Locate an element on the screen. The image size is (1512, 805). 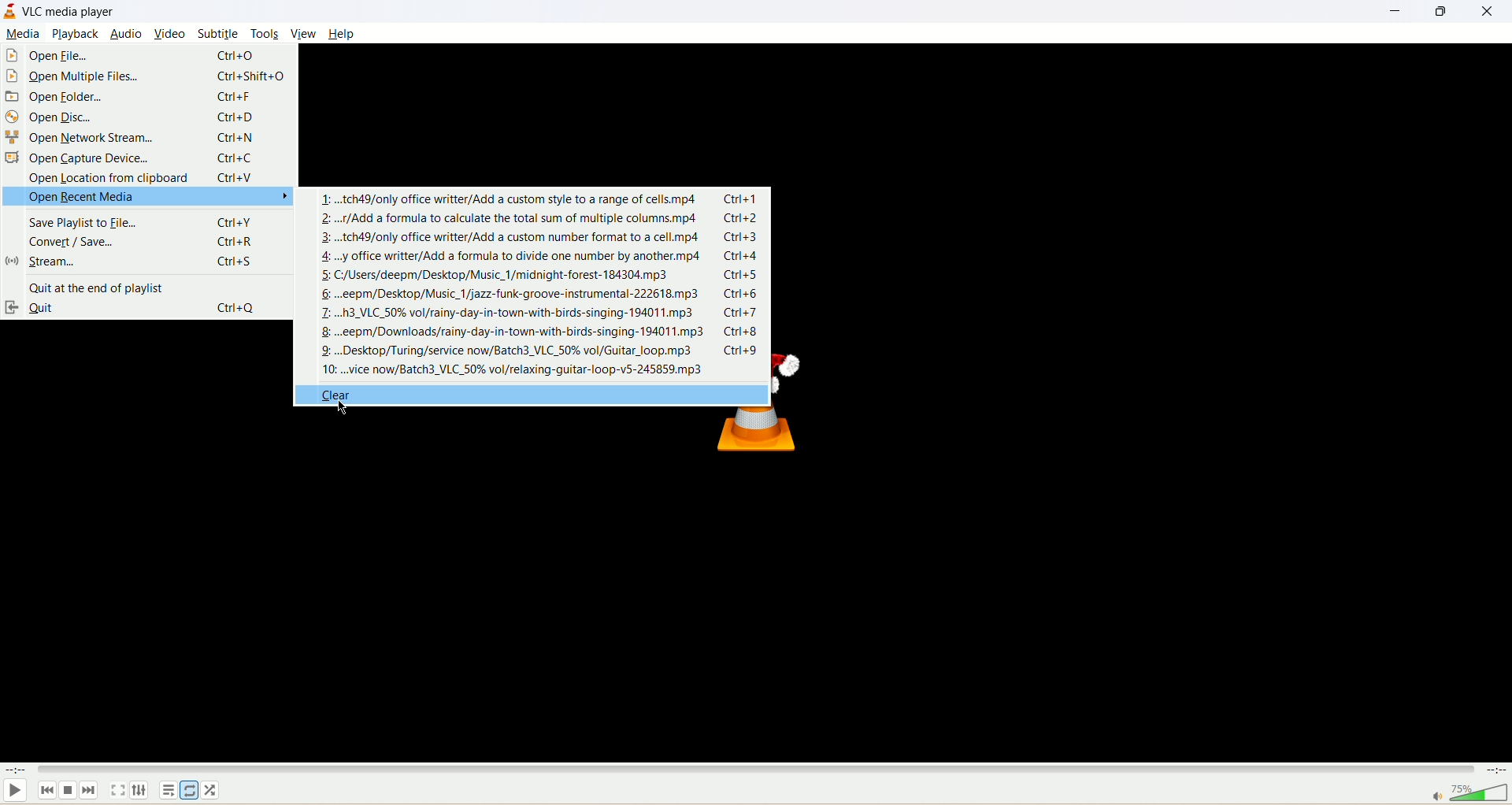
full screen is located at coordinates (119, 789).